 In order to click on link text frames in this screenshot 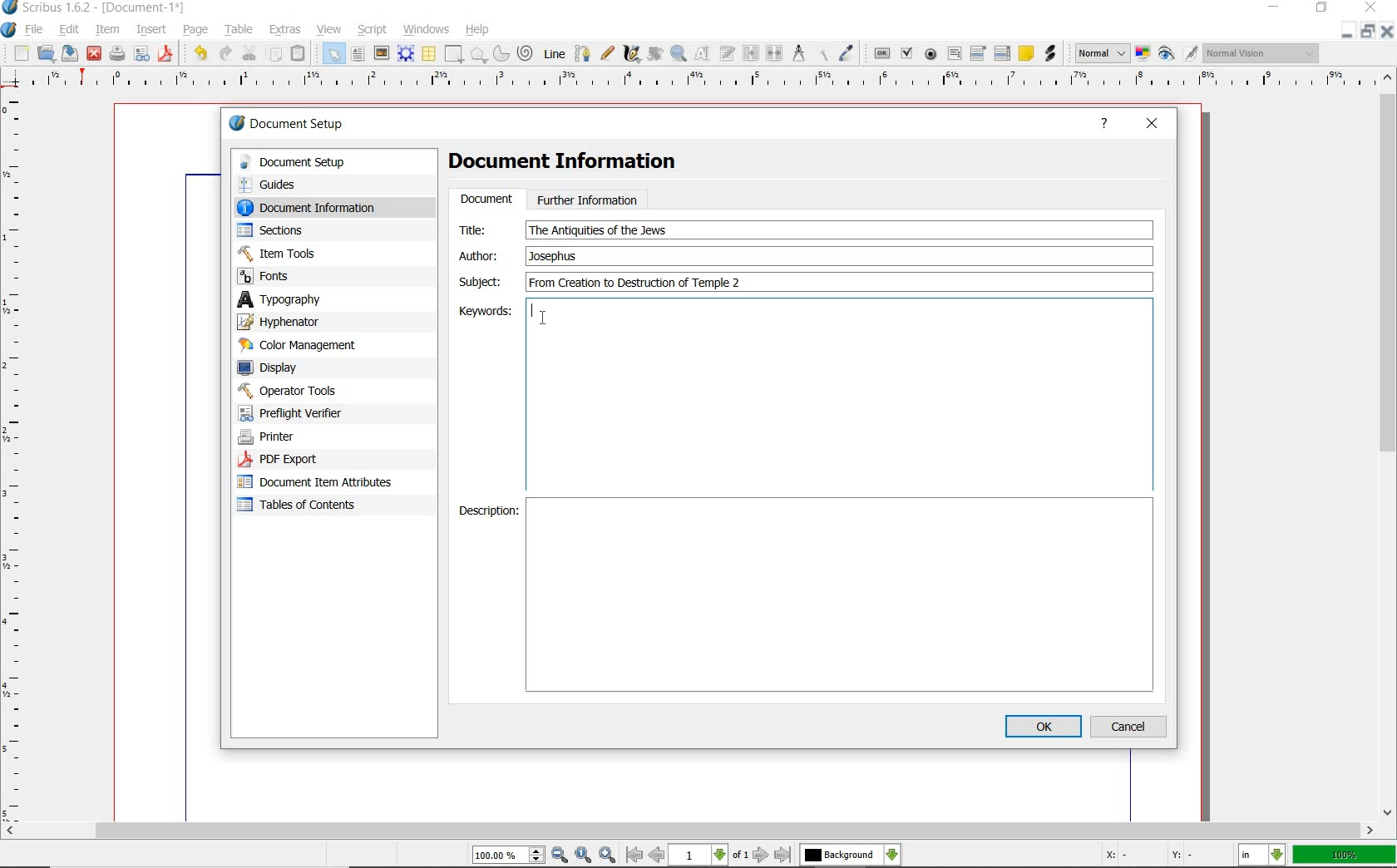, I will do `click(751, 54)`.